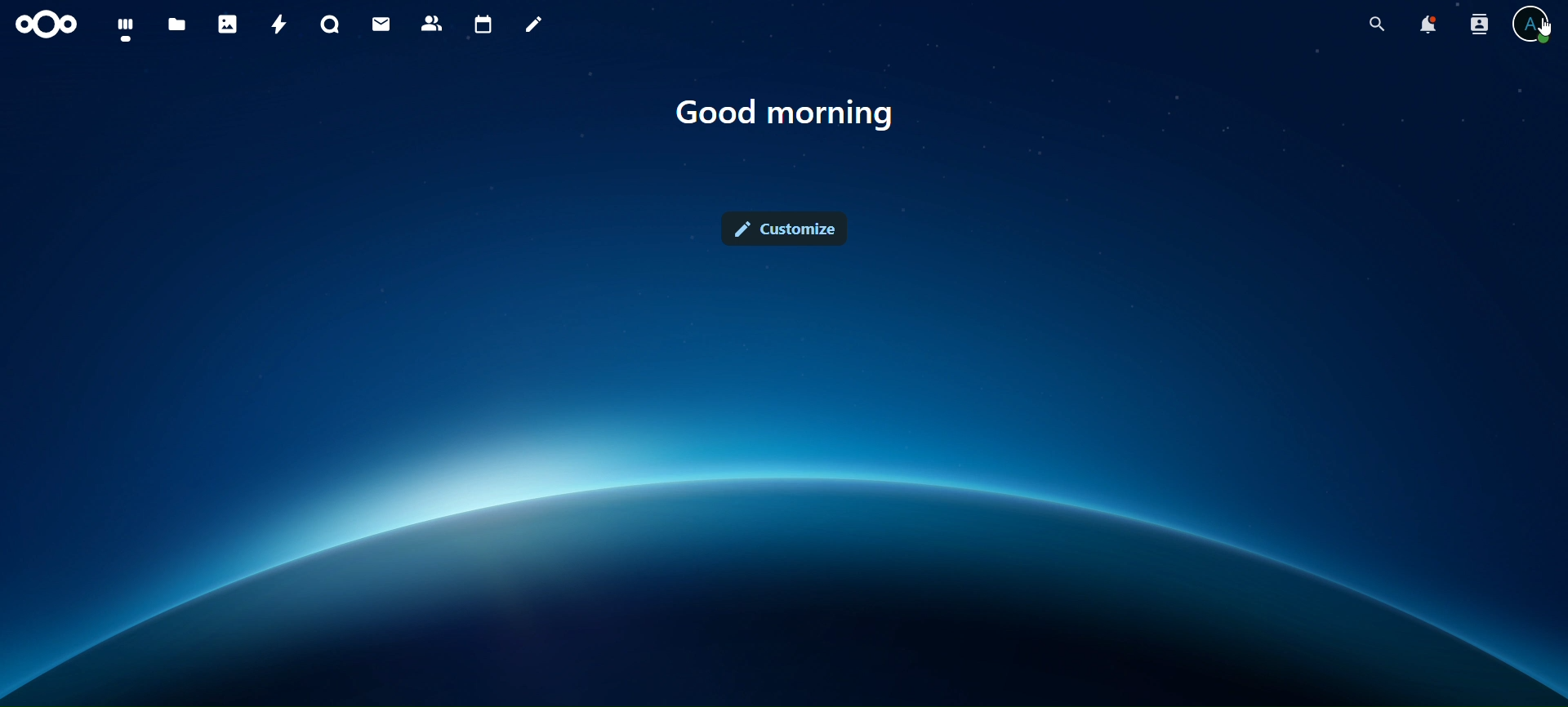  I want to click on good morning, so click(787, 113).